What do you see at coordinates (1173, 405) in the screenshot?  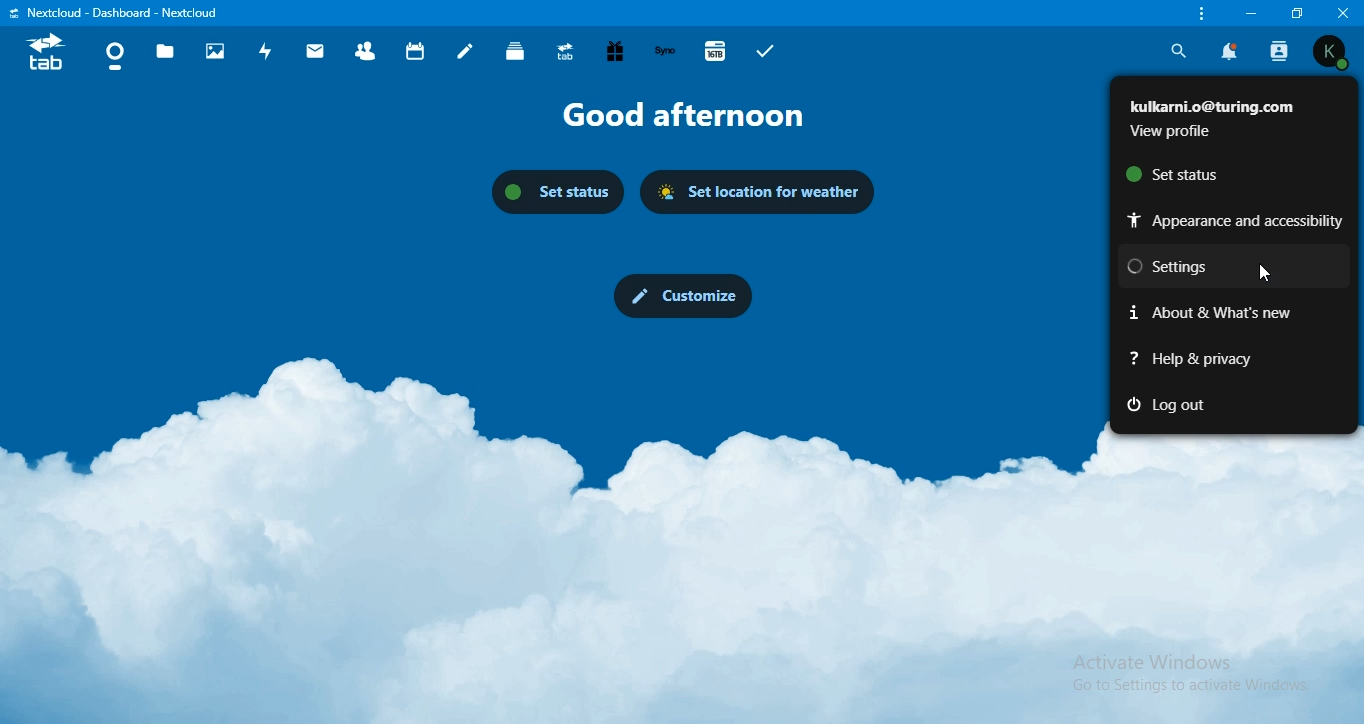 I see `log out` at bounding box center [1173, 405].